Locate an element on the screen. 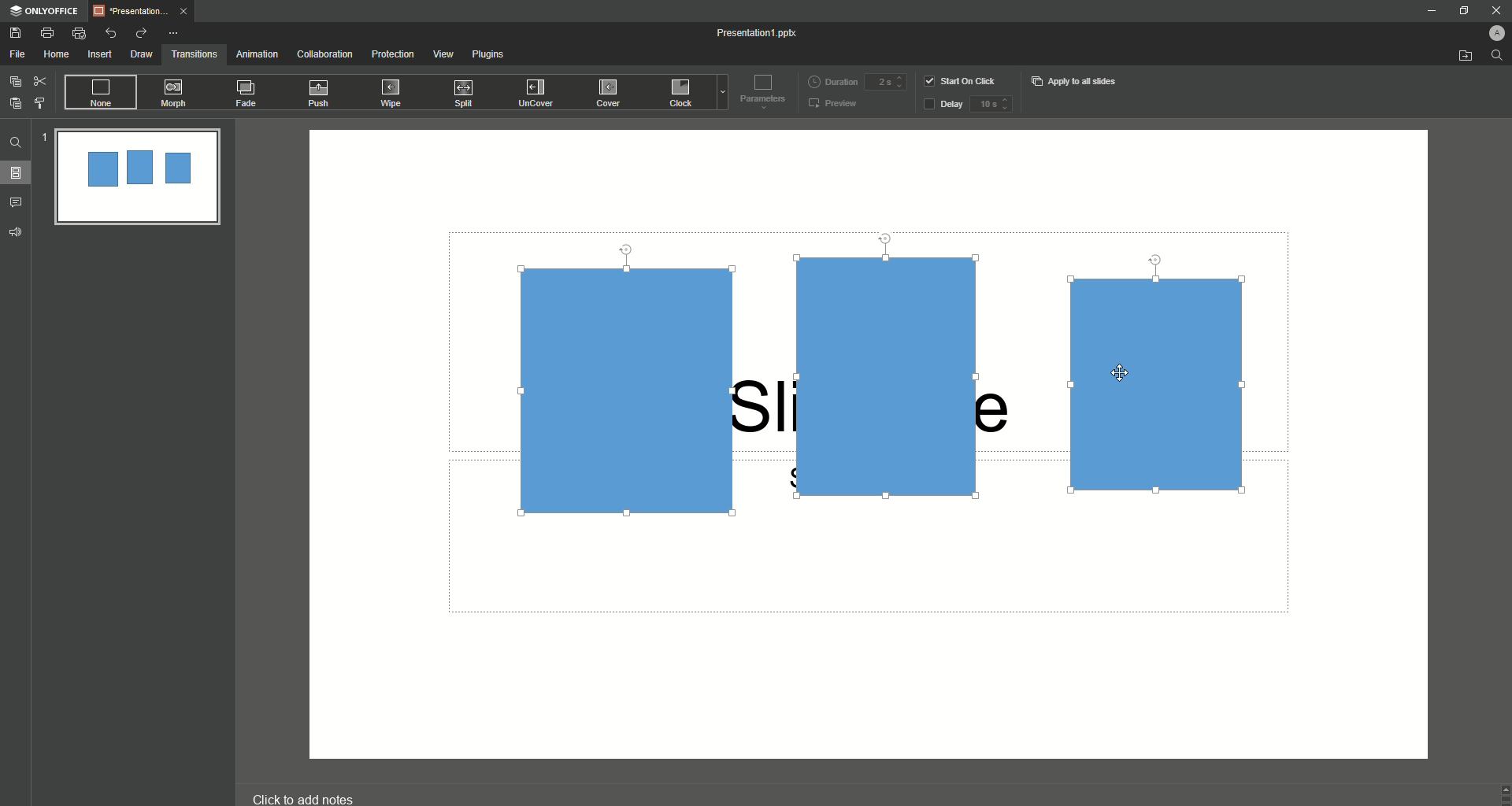  Click is located at coordinates (683, 95).